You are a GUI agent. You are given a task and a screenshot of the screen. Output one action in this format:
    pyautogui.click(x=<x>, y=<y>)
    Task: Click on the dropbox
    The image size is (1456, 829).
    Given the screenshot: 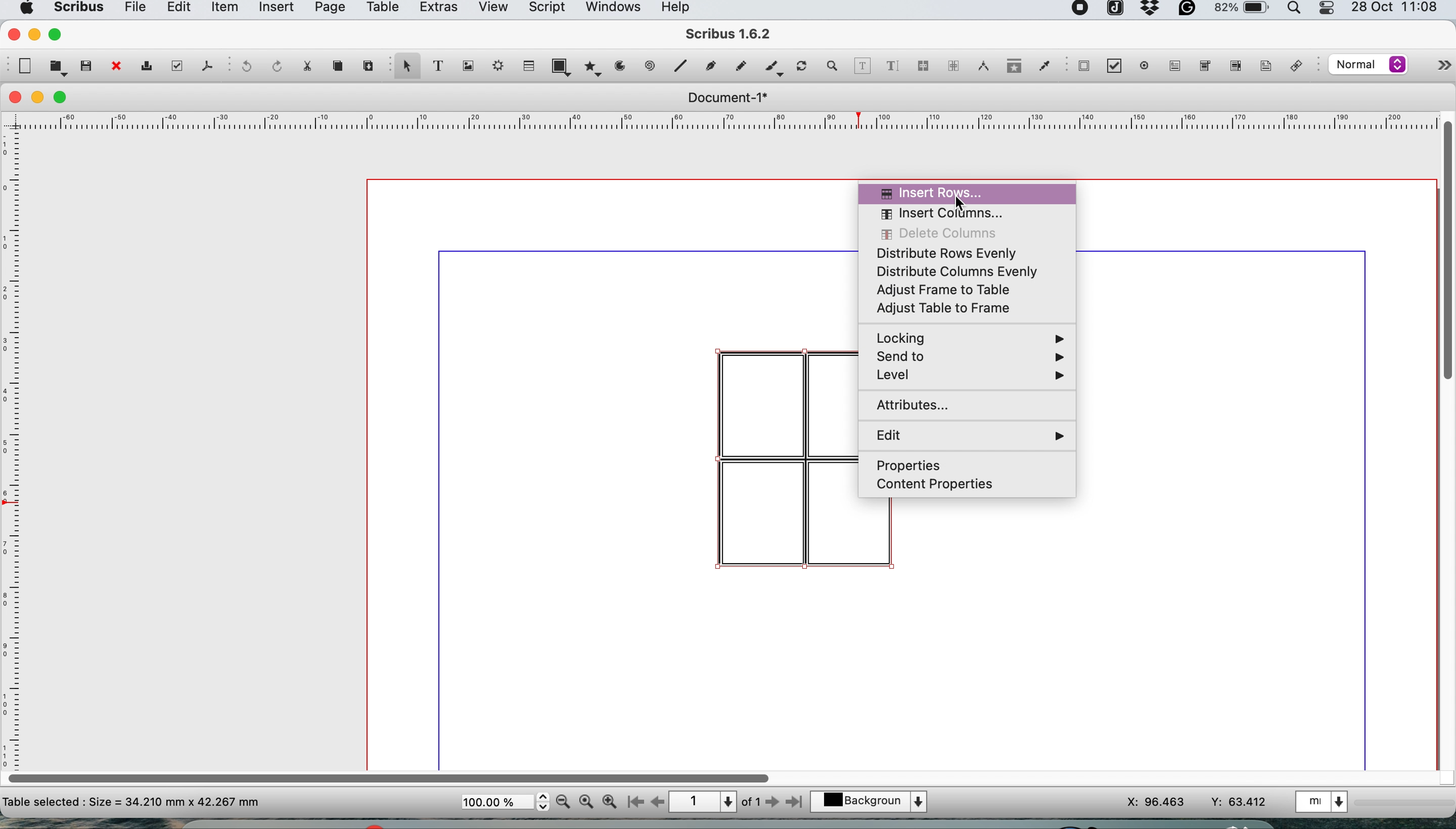 What is the action you would take?
    pyautogui.click(x=1151, y=13)
    